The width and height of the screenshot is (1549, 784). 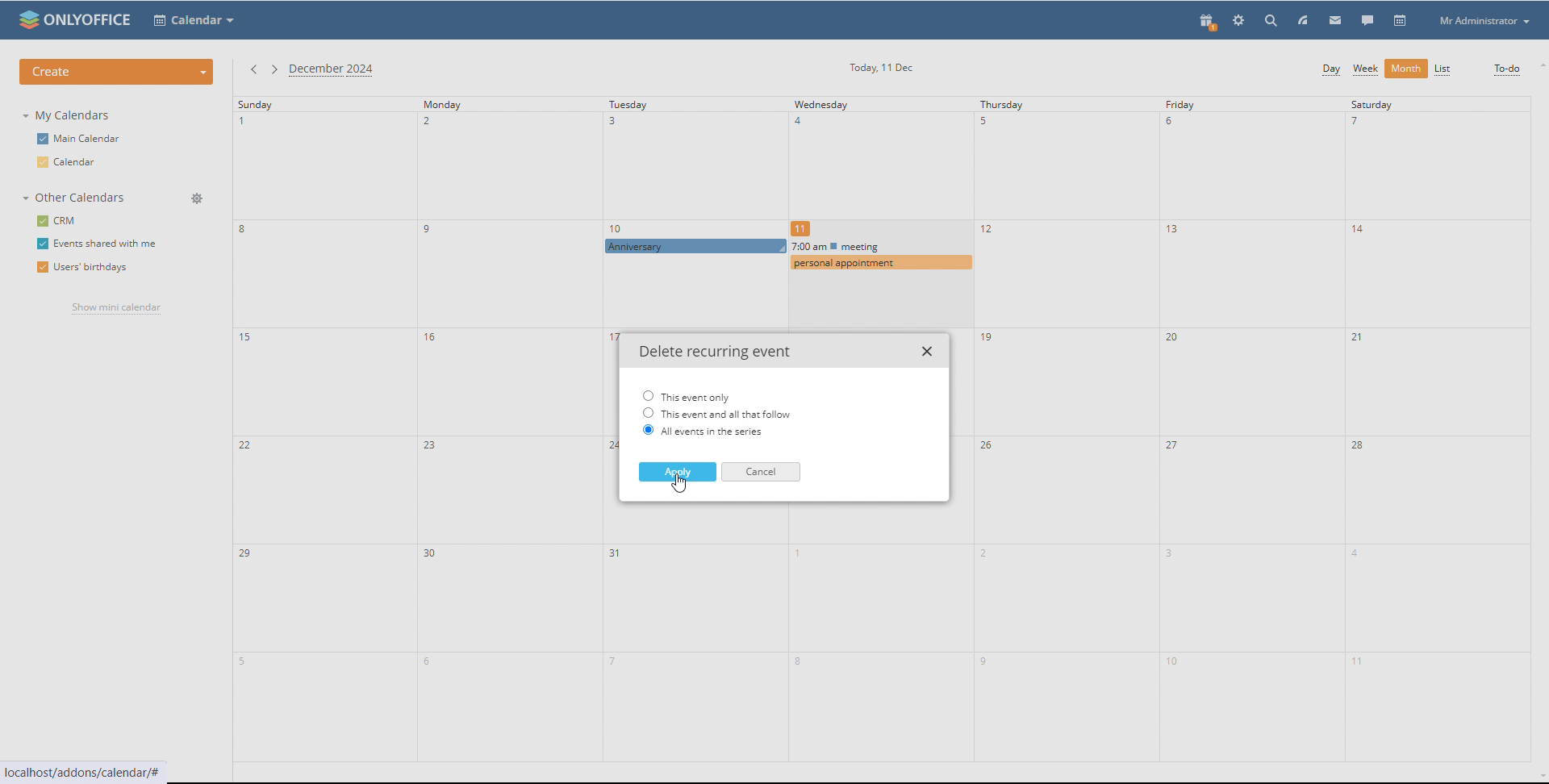 I want to click on current date, so click(x=880, y=68).